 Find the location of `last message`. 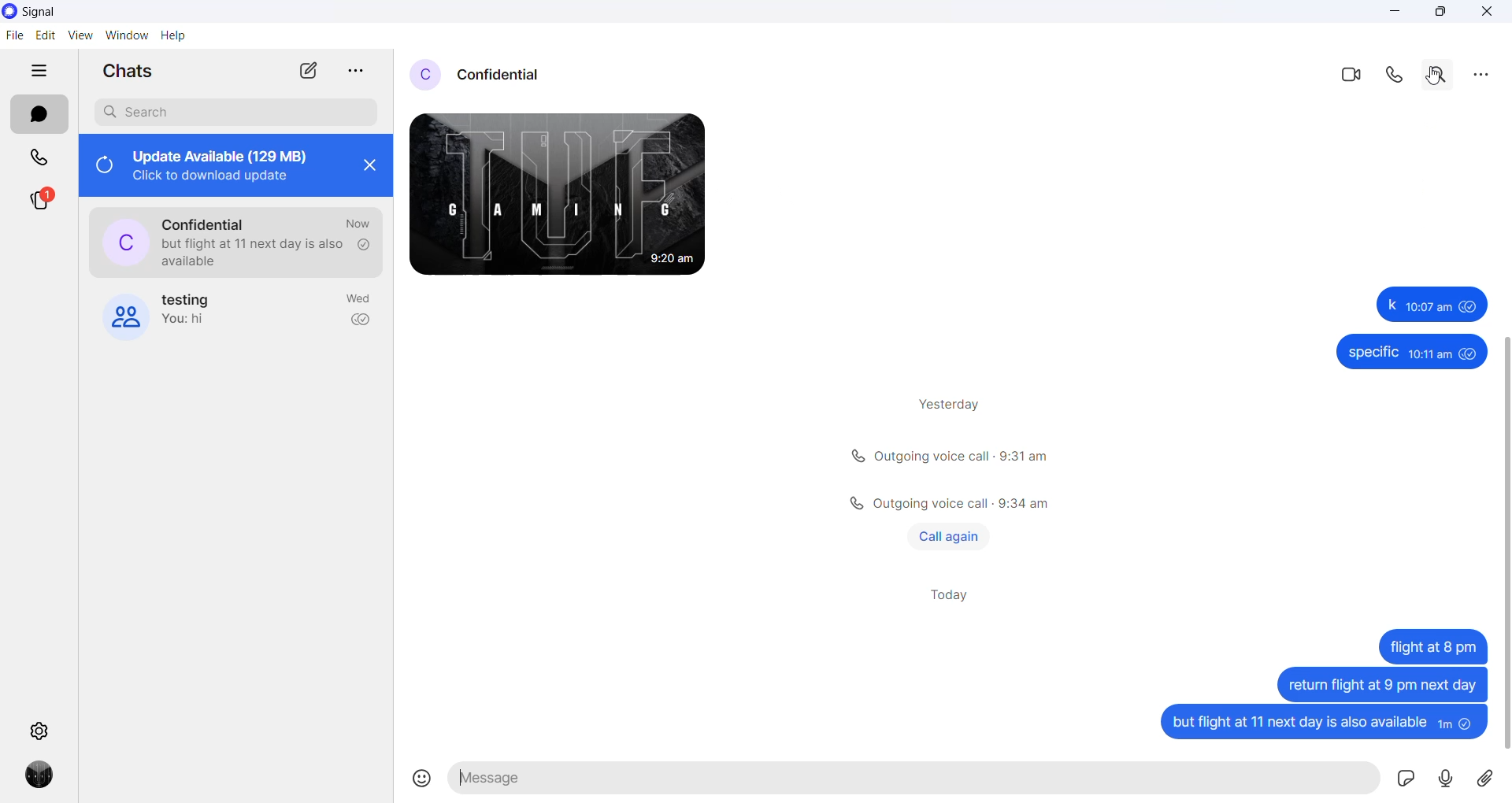

last message is located at coordinates (197, 322).